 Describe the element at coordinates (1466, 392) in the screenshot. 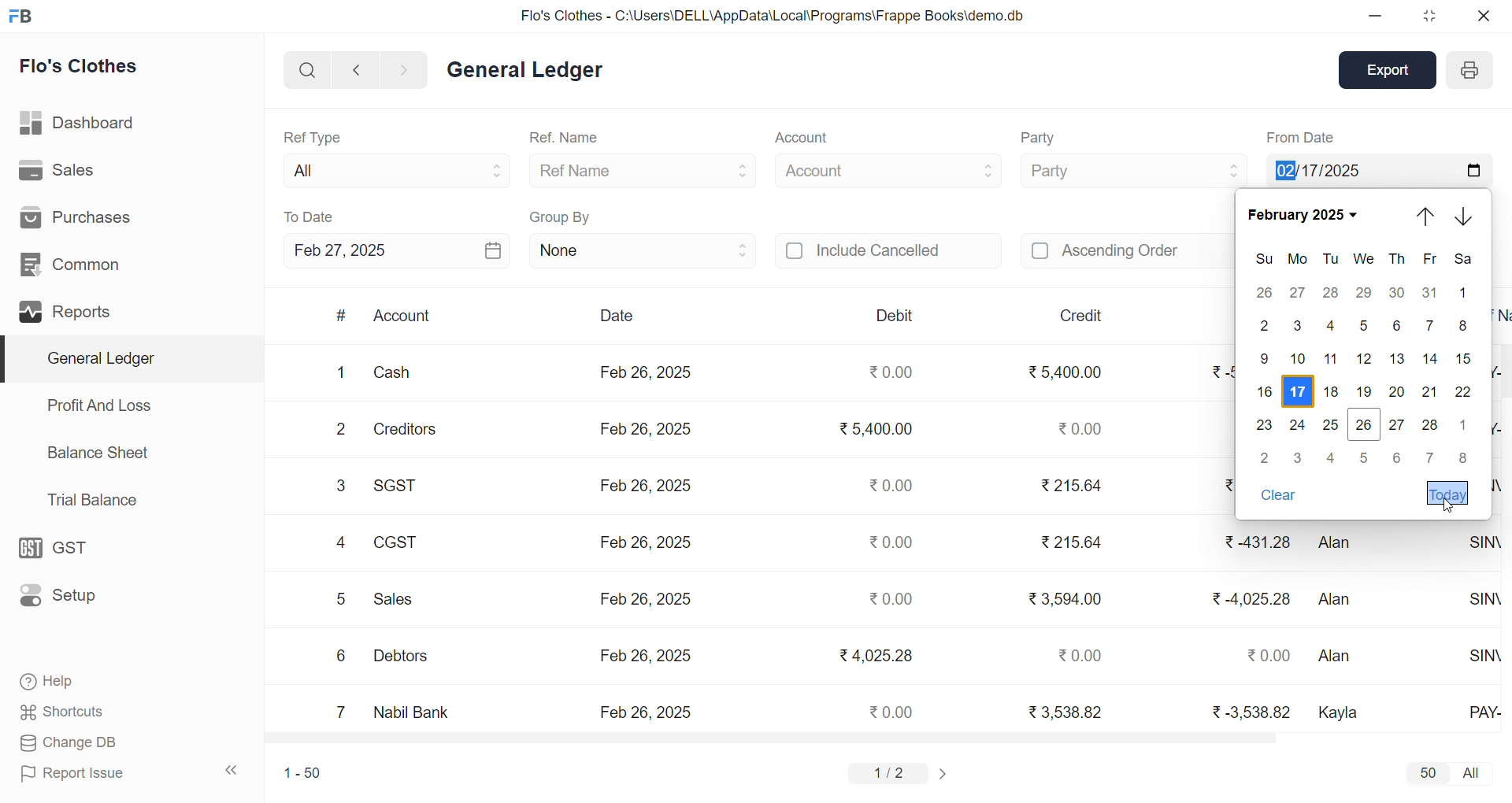

I see `22` at that location.